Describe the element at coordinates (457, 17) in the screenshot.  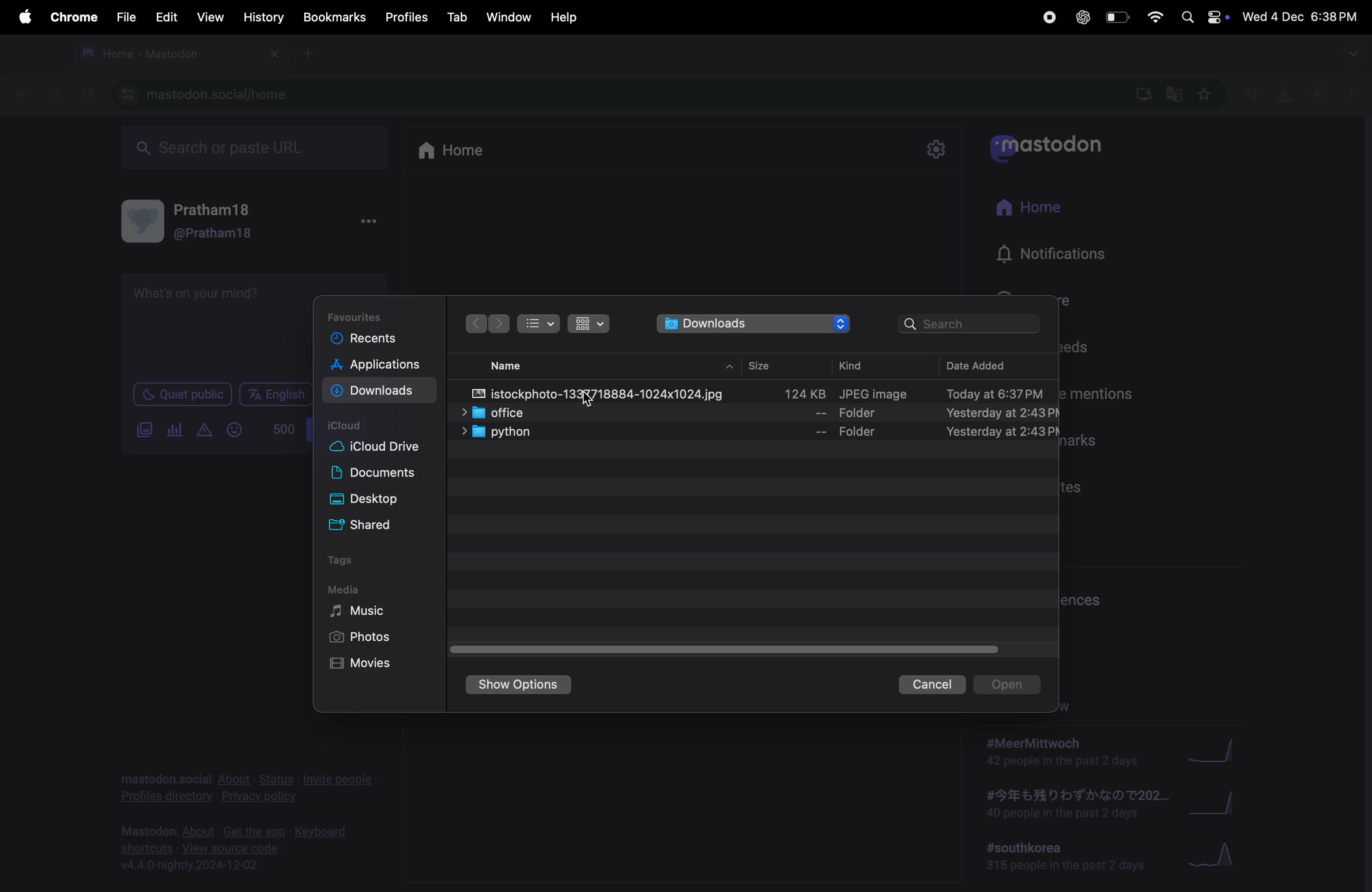
I see `tab` at that location.